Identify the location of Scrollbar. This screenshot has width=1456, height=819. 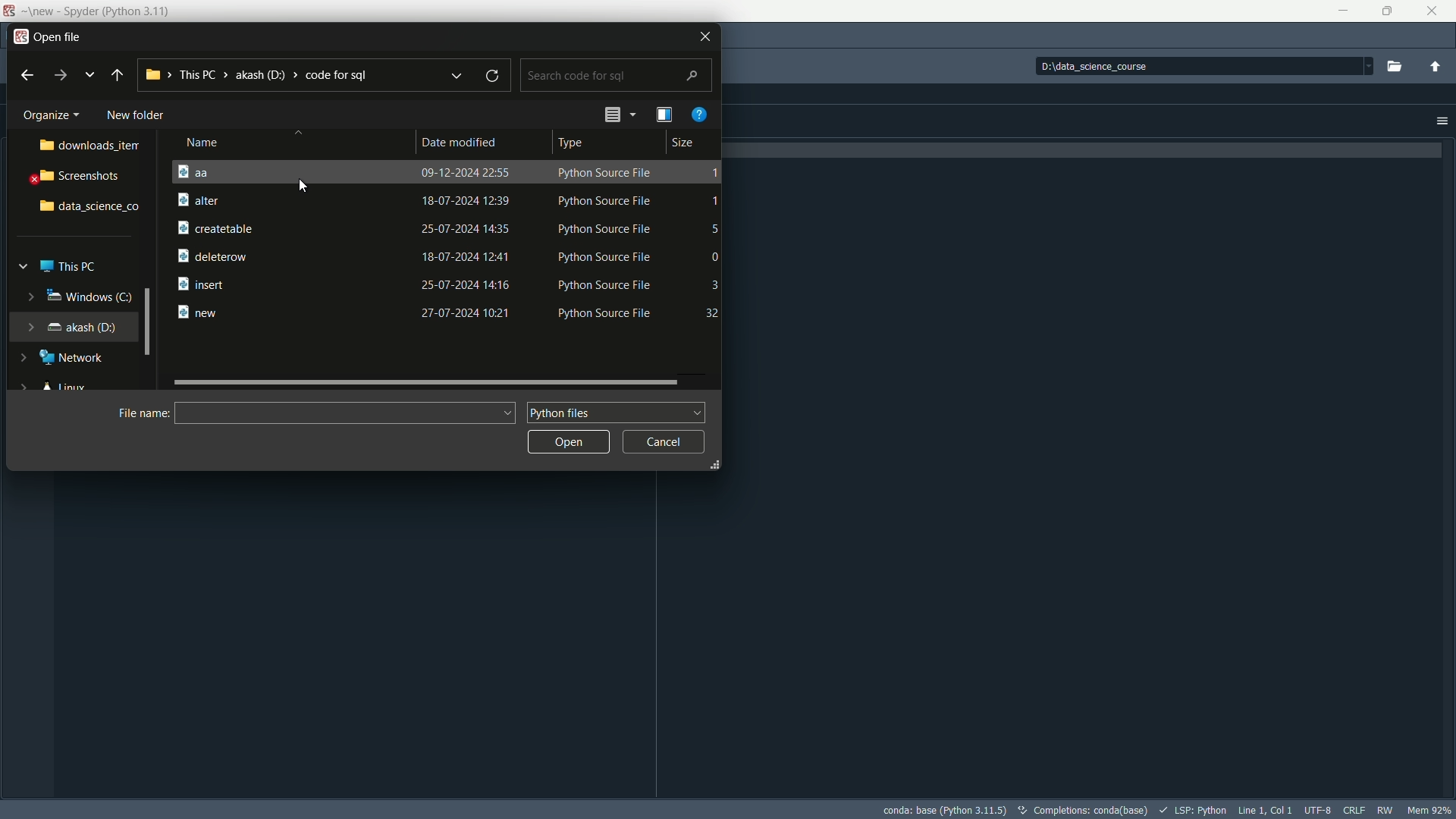
(149, 323).